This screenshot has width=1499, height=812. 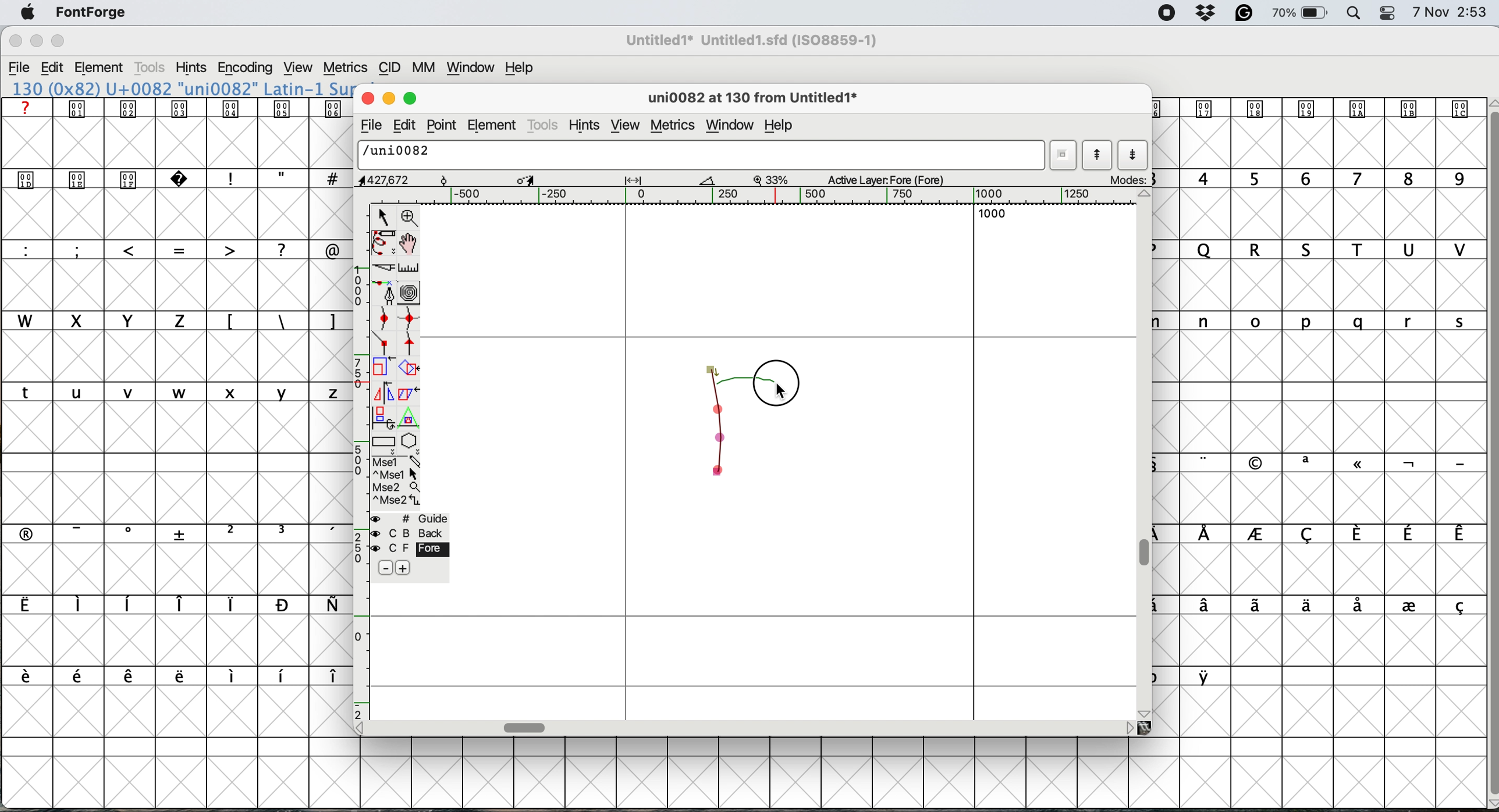 I want to click on font name, so click(x=756, y=40).